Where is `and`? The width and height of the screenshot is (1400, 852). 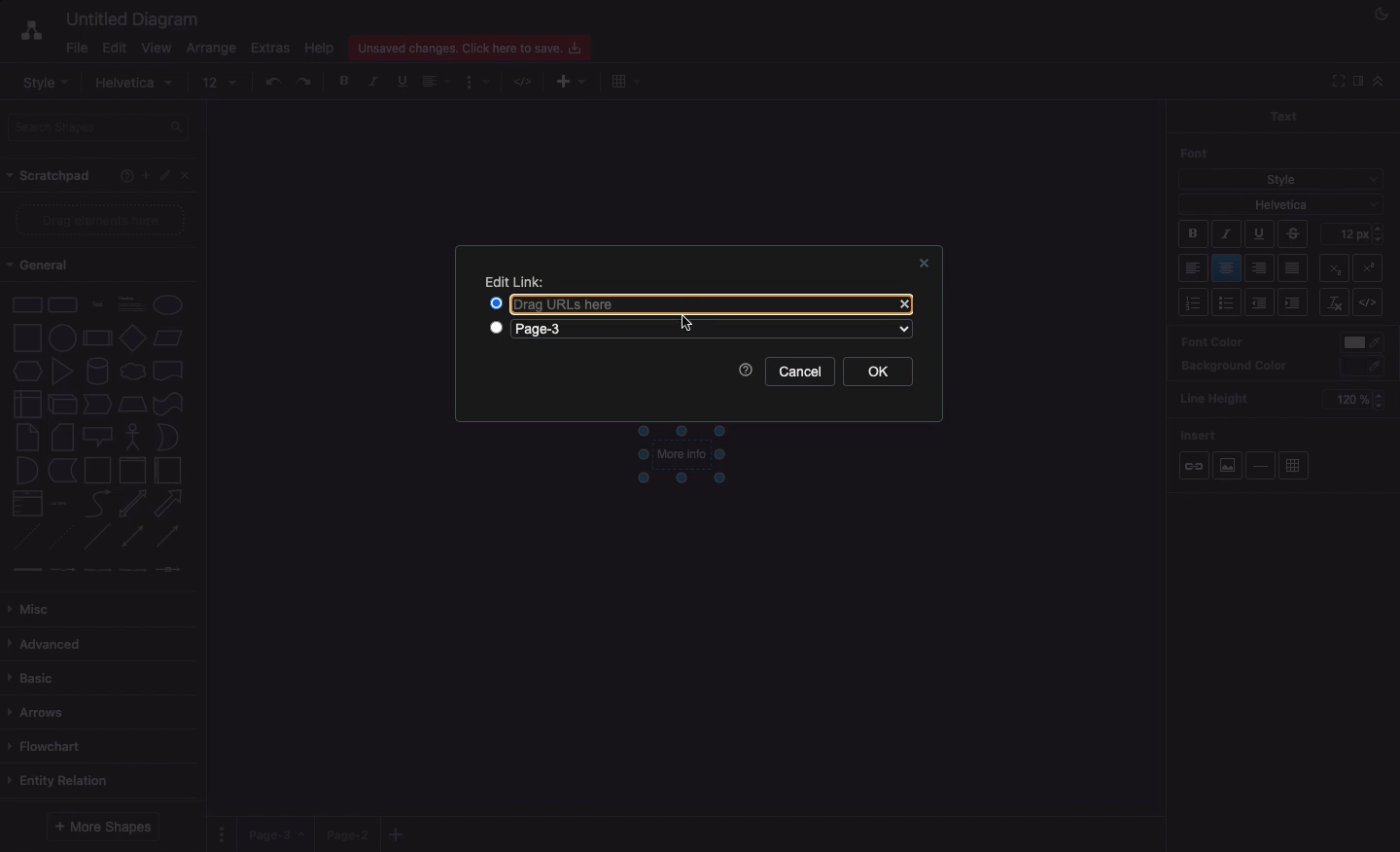 and is located at coordinates (28, 471).